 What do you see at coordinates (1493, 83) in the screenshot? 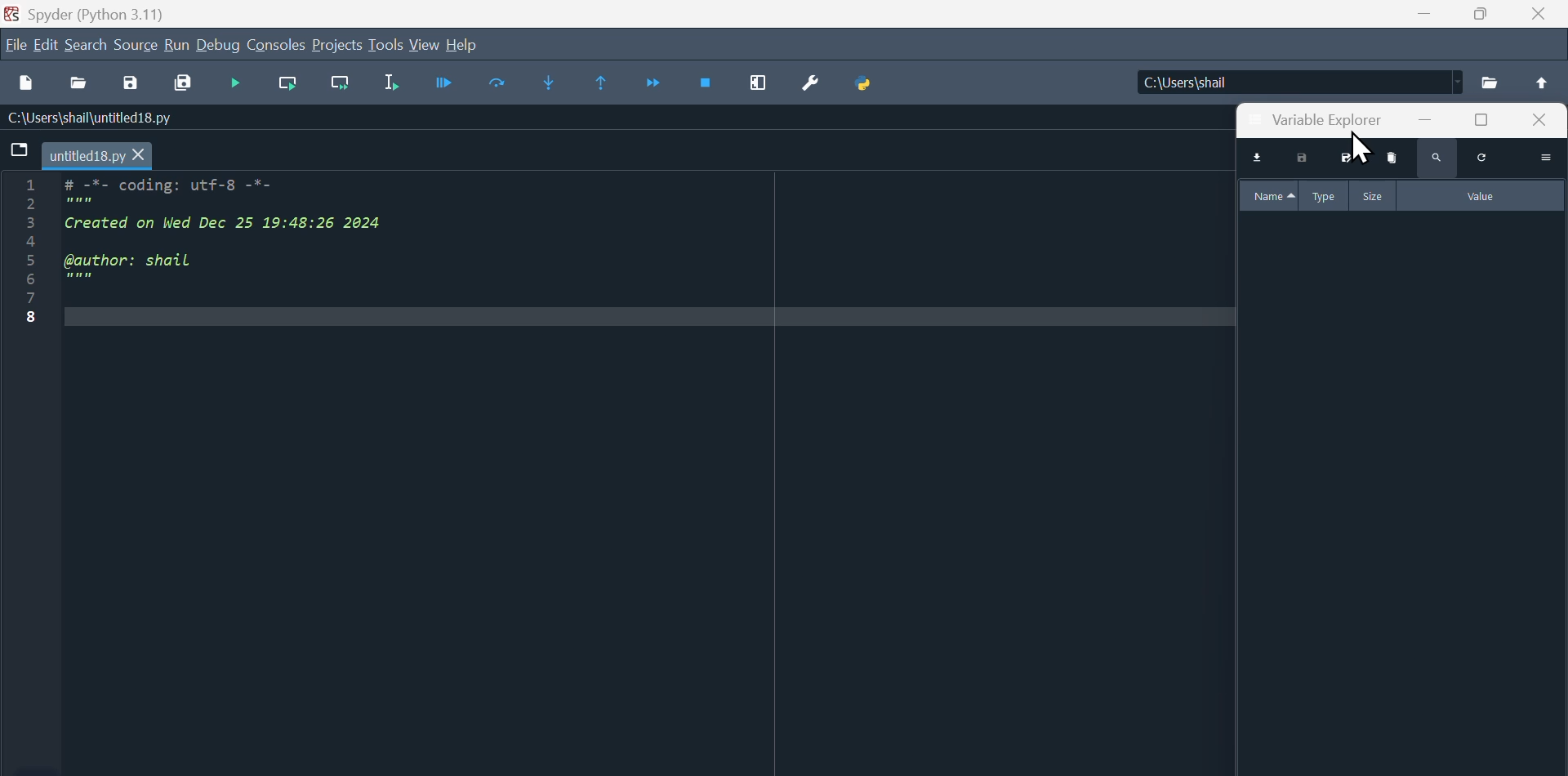
I see `open folder` at bounding box center [1493, 83].